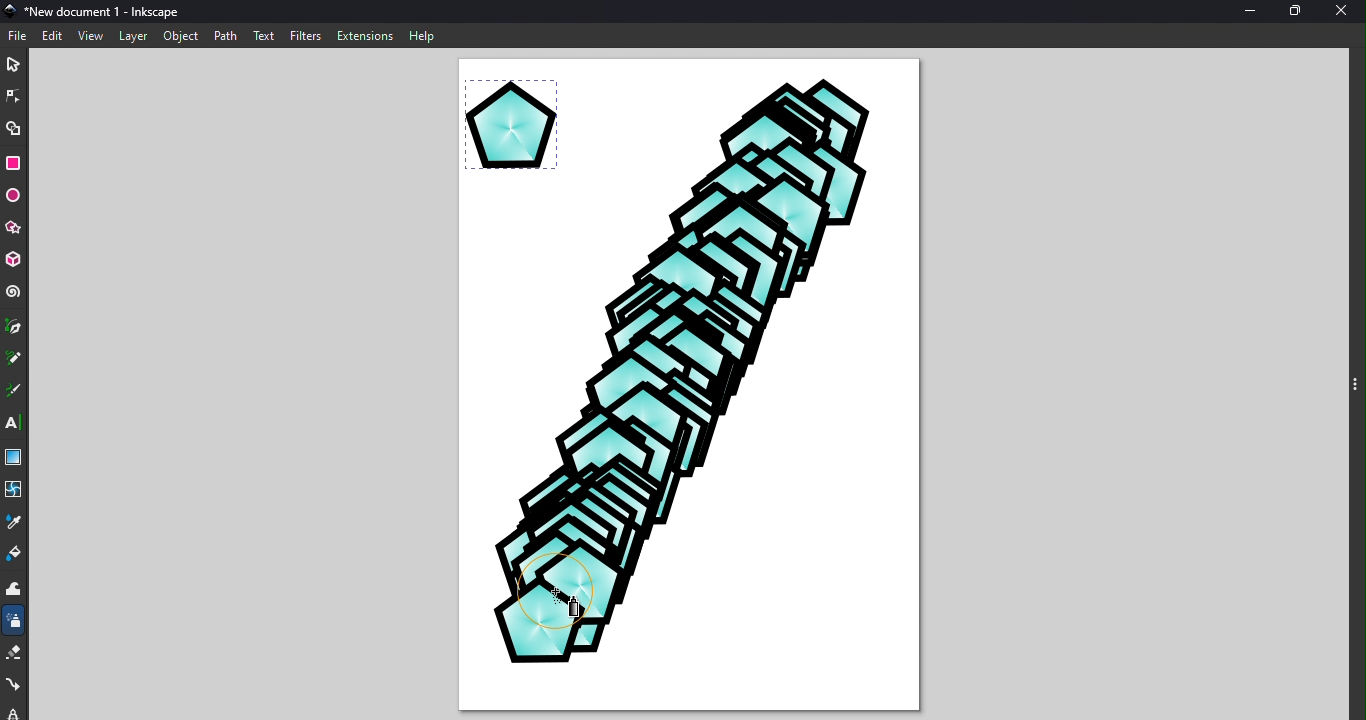 The height and width of the screenshot is (720, 1366). I want to click on Mesh tool, so click(15, 488).